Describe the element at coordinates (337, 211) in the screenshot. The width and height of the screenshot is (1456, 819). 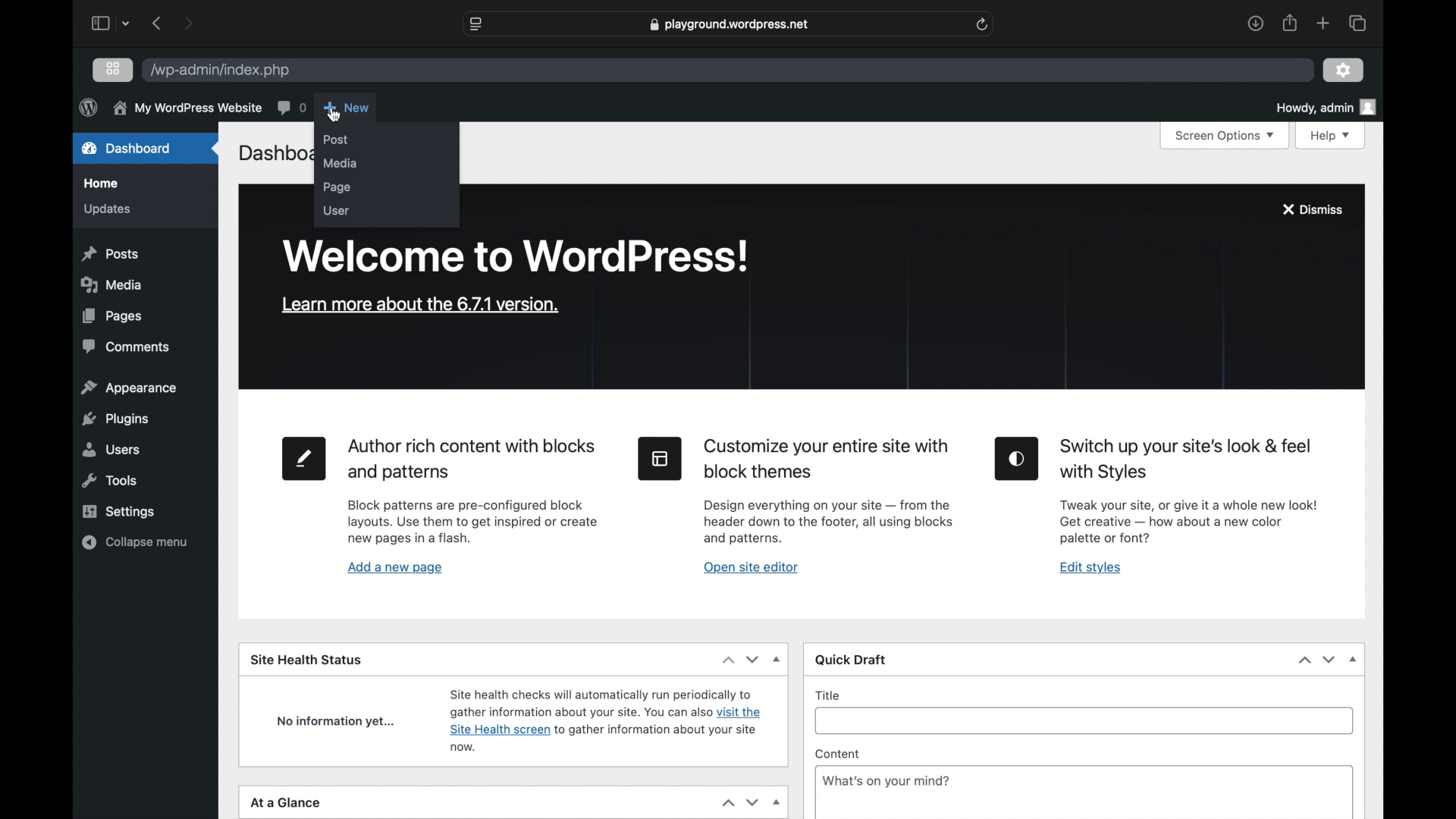
I see `user` at that location.